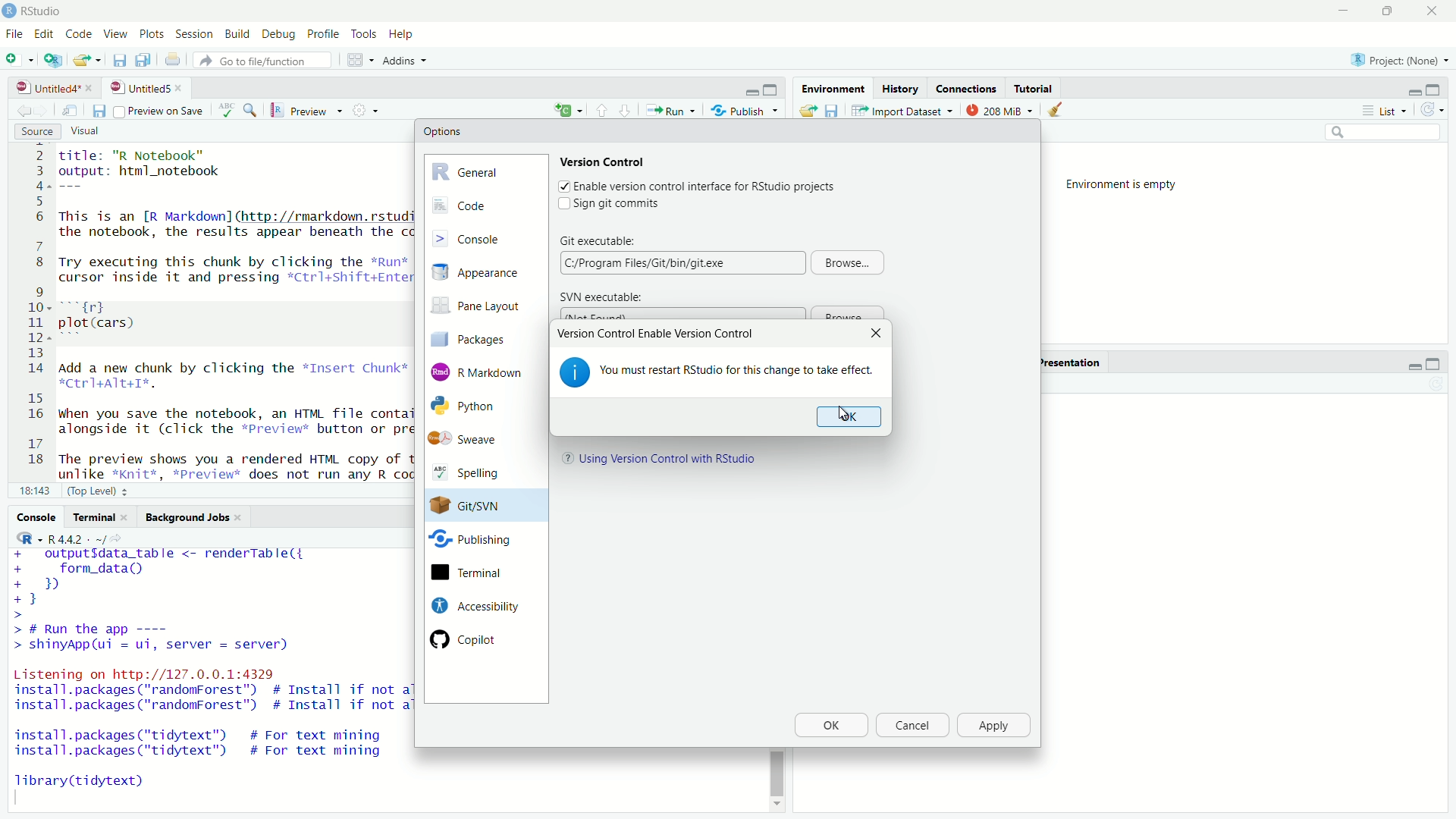 This screenshot has height=819, width=1456. Describe the element at coordinates (752, 91) in the screenshot. I see `minimize` at that location.